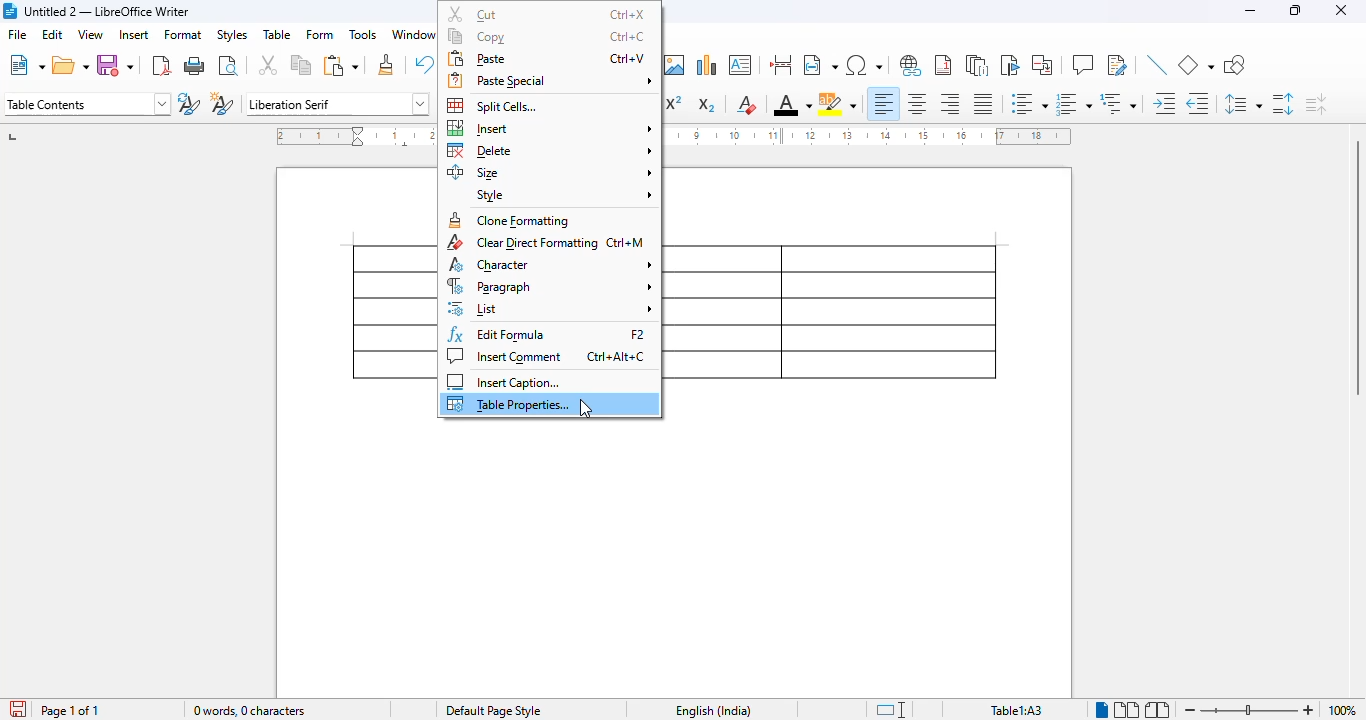 This screenshot has height=720, width=1366. Describe the element at coordinates (1354, 265) in the screenshot. I see `vertical scroll bar` at that location.